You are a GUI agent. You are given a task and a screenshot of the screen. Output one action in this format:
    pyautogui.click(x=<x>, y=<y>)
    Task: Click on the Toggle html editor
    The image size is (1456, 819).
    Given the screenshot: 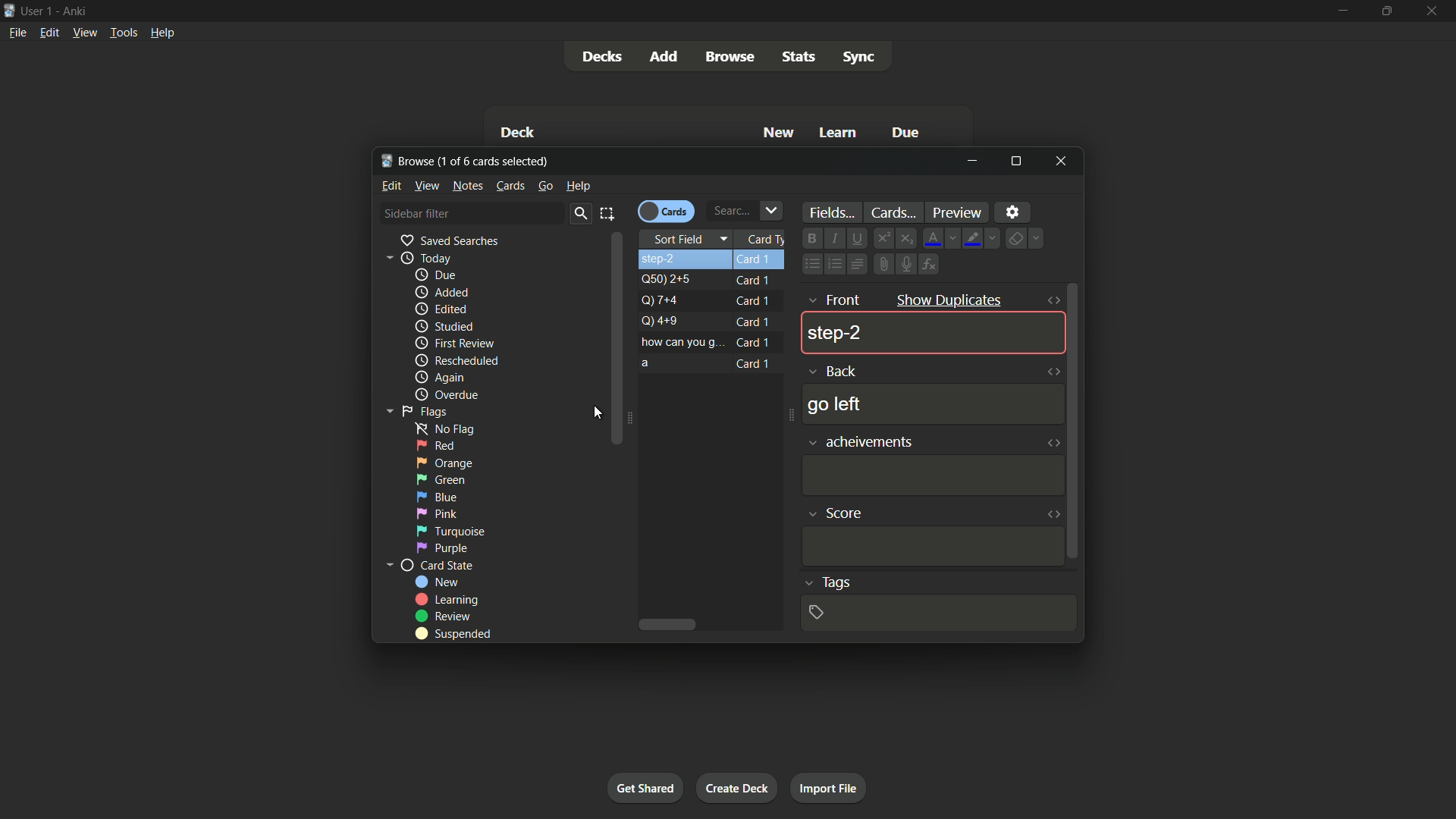 What is the action you would take?
    pyautogui.click(x=1055, y=513)
    